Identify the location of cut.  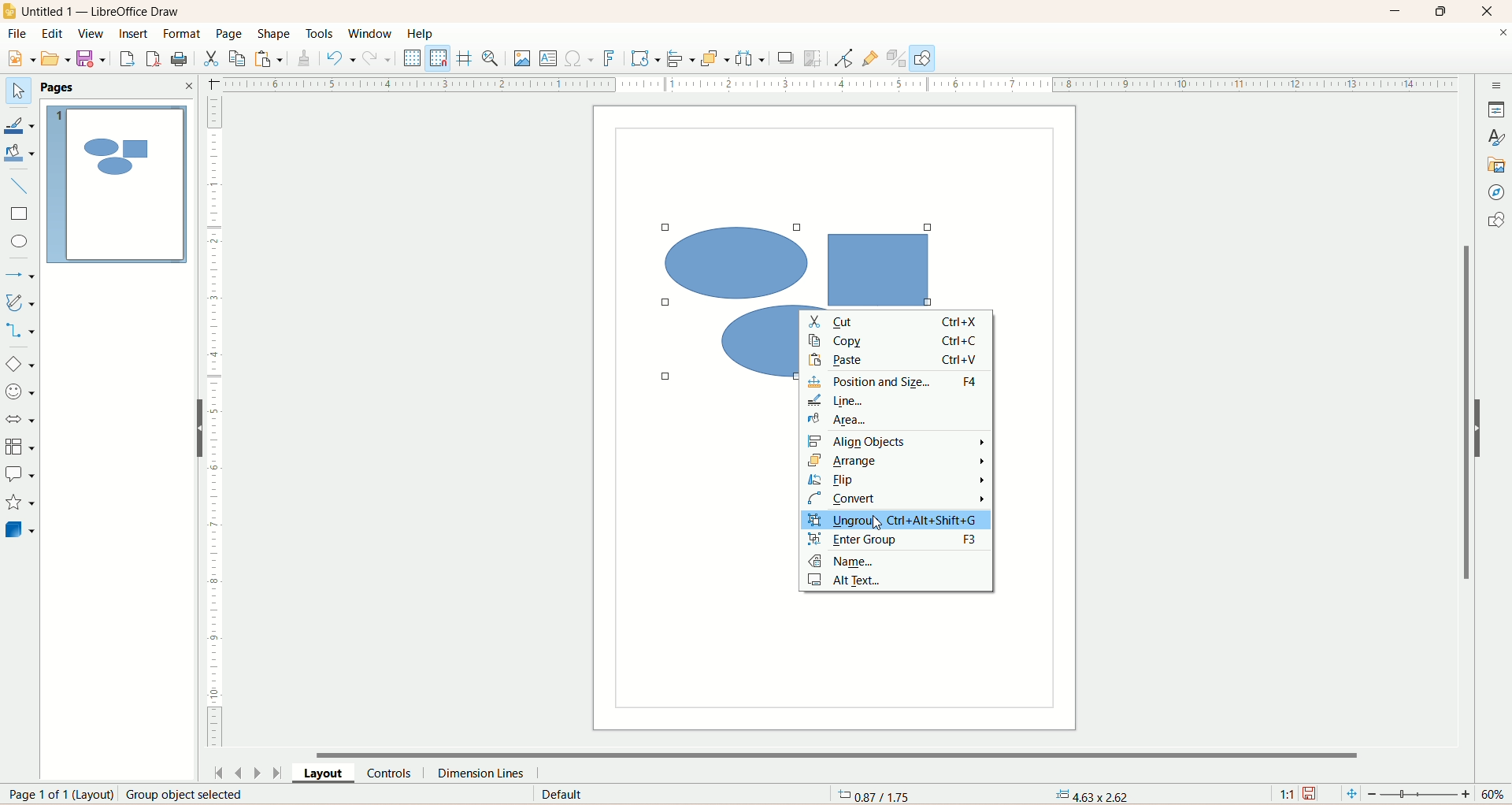
(212, 61).